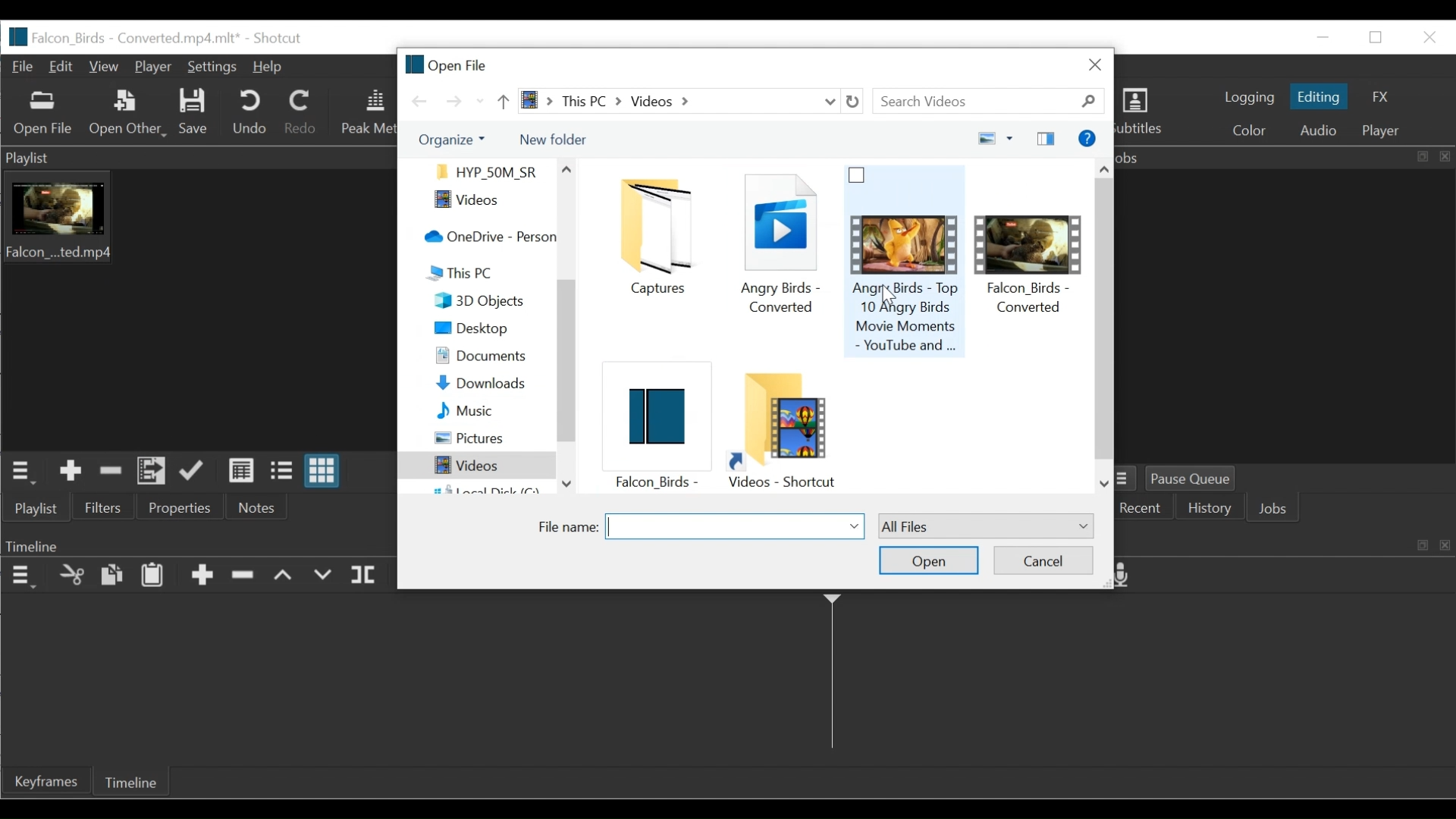 The width and height of the screenshot is (1456, 819). I want to click on Undo, so click(249, 112).